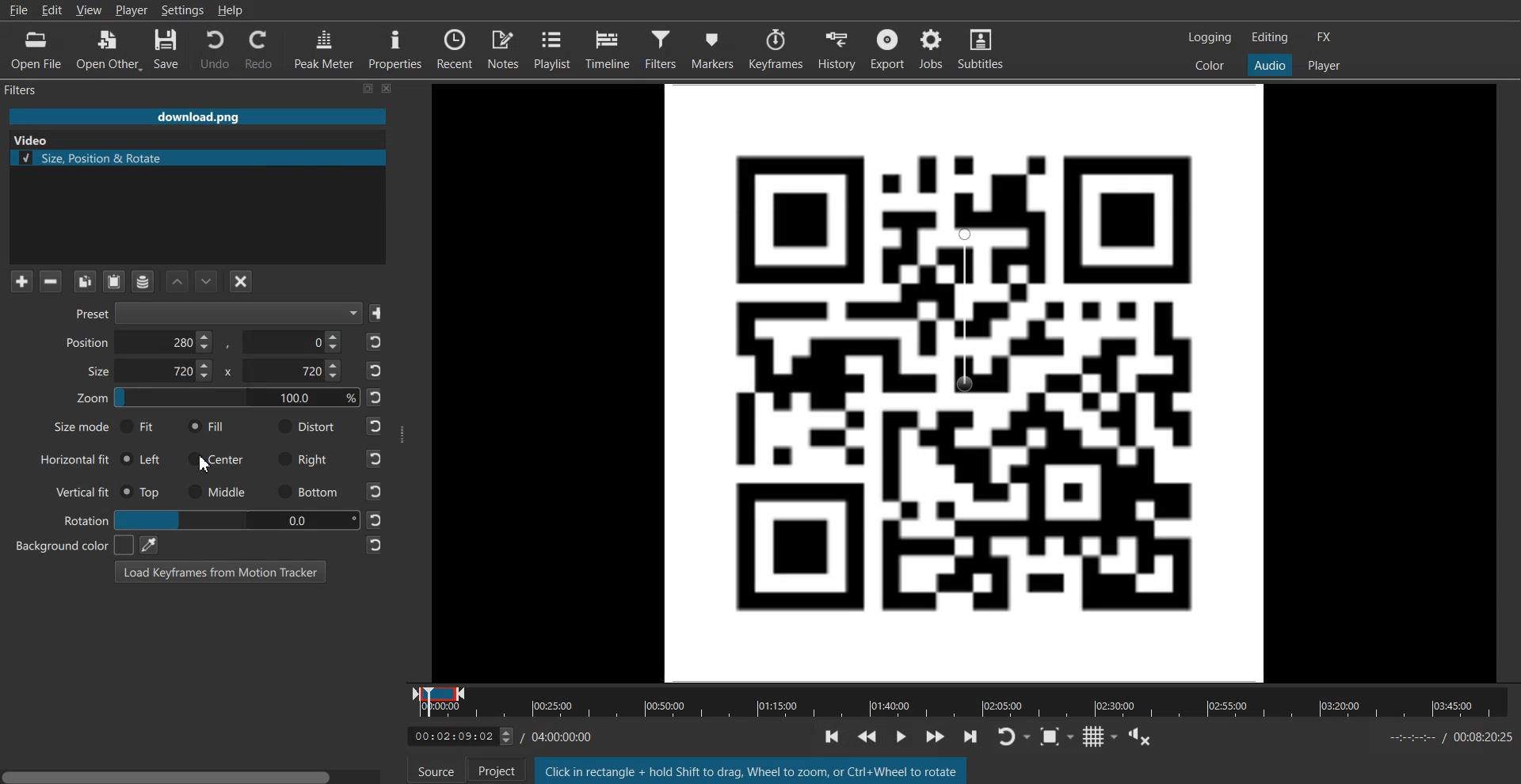 The height and width of the screenshot is (784, 1521). Describe the element at coordinates (304, 459) in the screenshot. I see `Right` at that location.